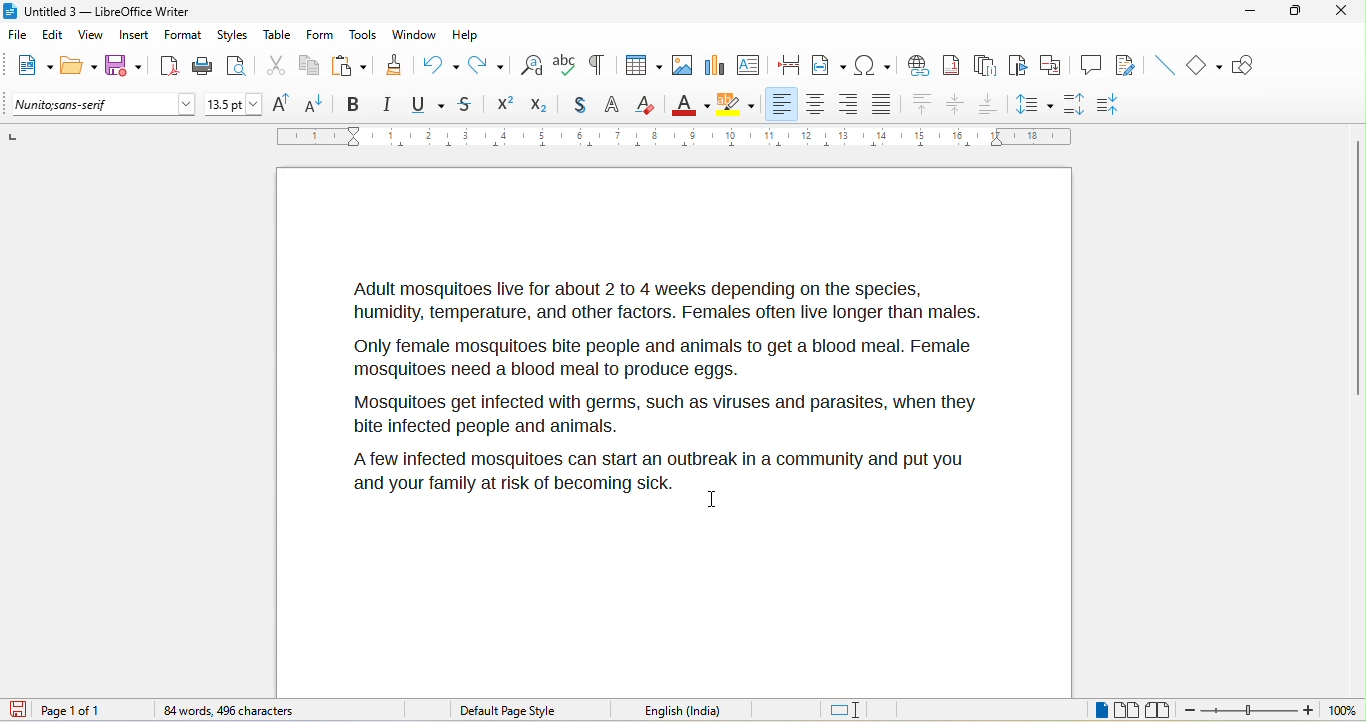  Describe the element at coordinates (1250, 712) in the screenshot. I see `zoom` at that location.